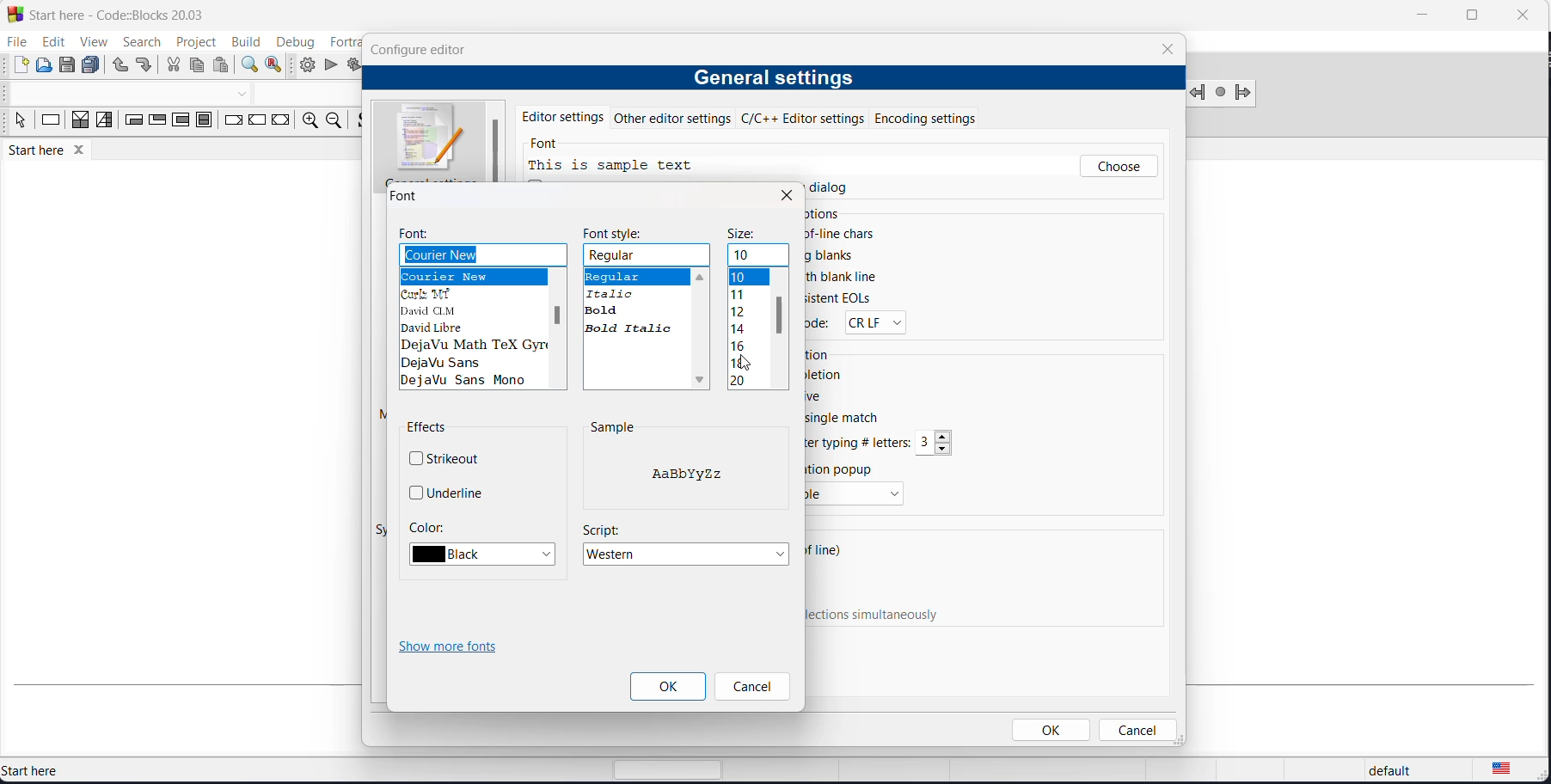  I want to click on ok, so click(1053, 730).